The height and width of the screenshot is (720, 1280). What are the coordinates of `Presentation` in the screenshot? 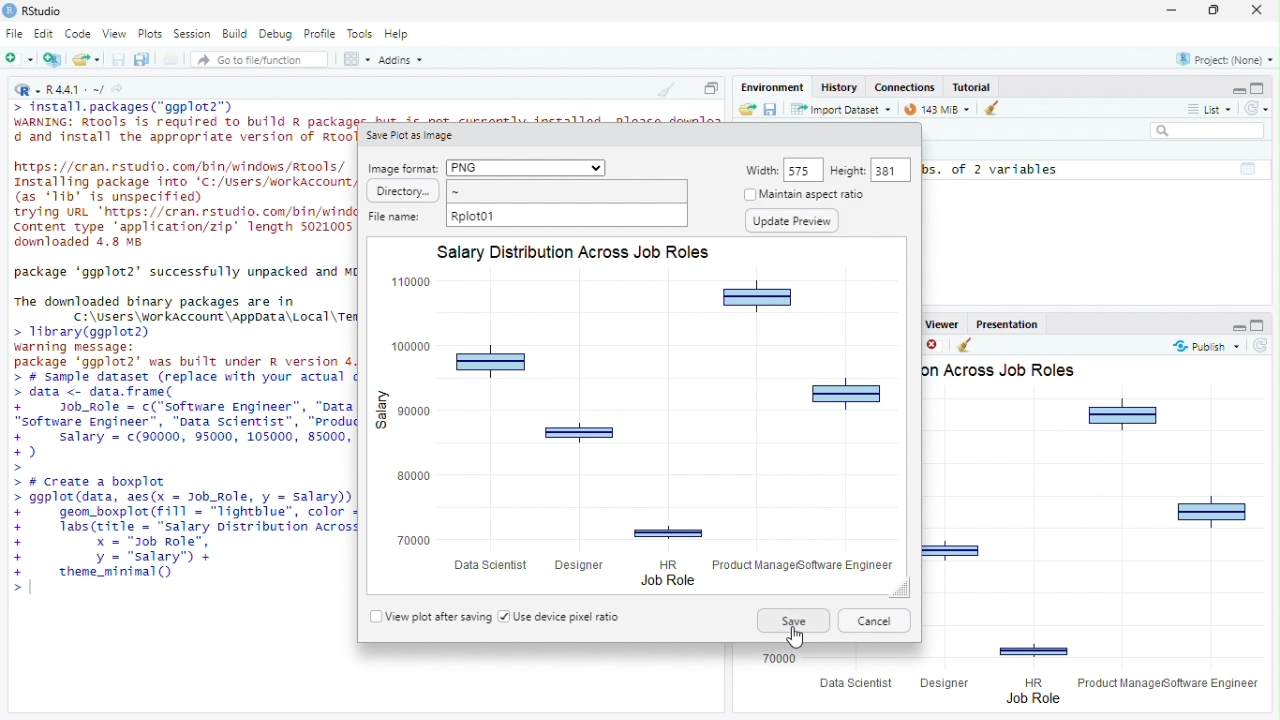 It's located at (1007, 323).